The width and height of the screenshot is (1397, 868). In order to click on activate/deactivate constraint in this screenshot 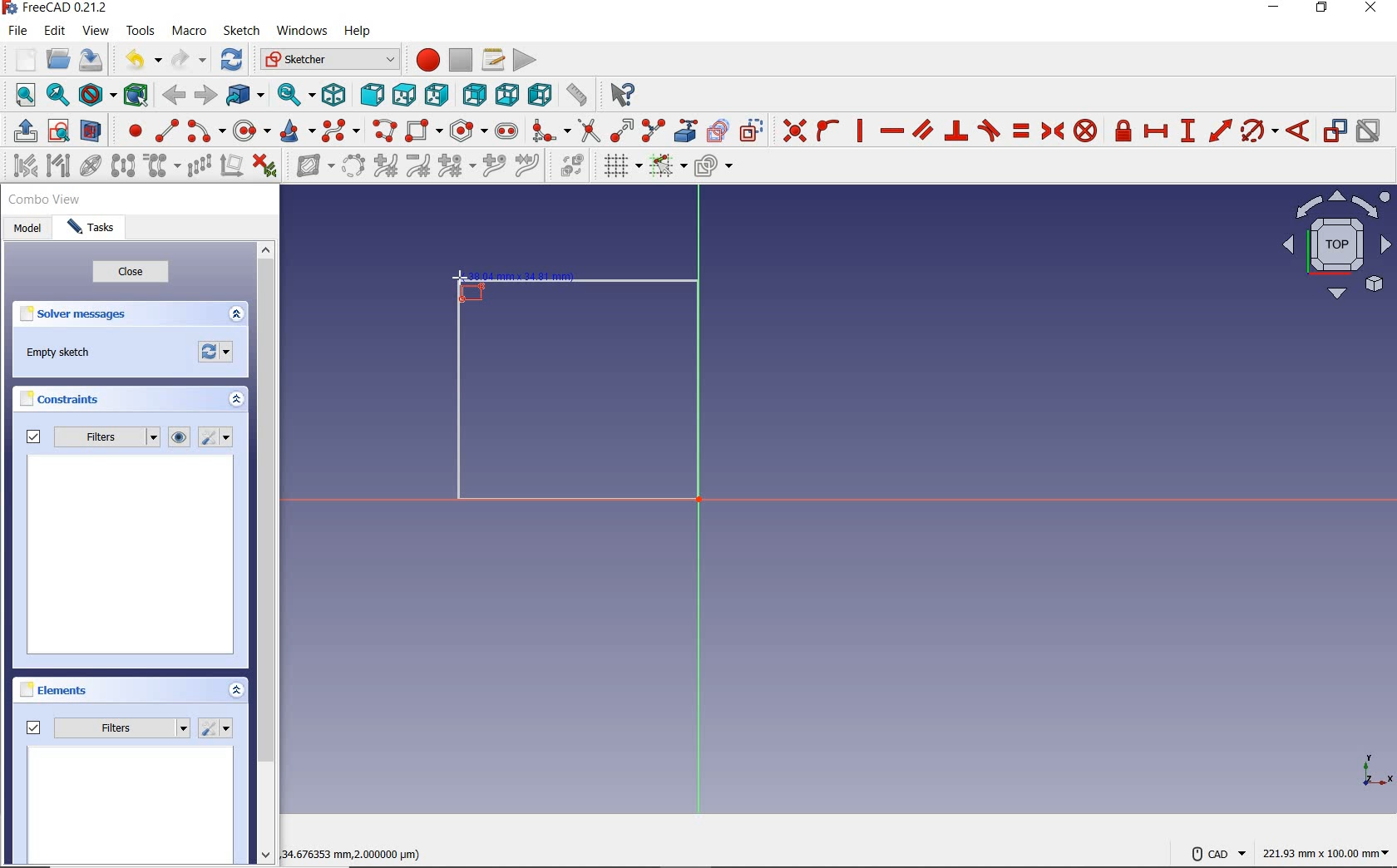, I will do `click(1370, 132)`.